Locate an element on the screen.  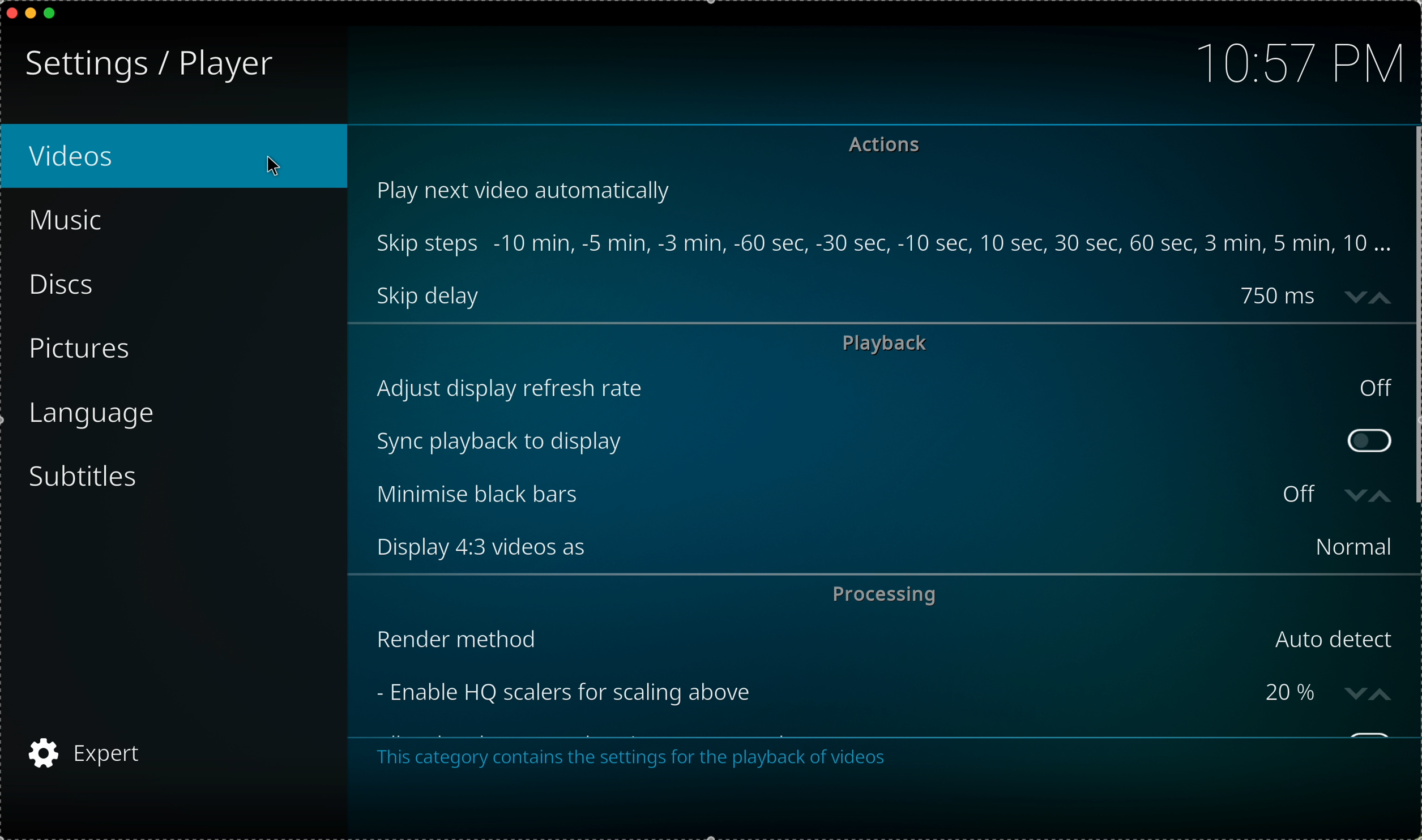
decrease value is located at coordinates (1354, 491).